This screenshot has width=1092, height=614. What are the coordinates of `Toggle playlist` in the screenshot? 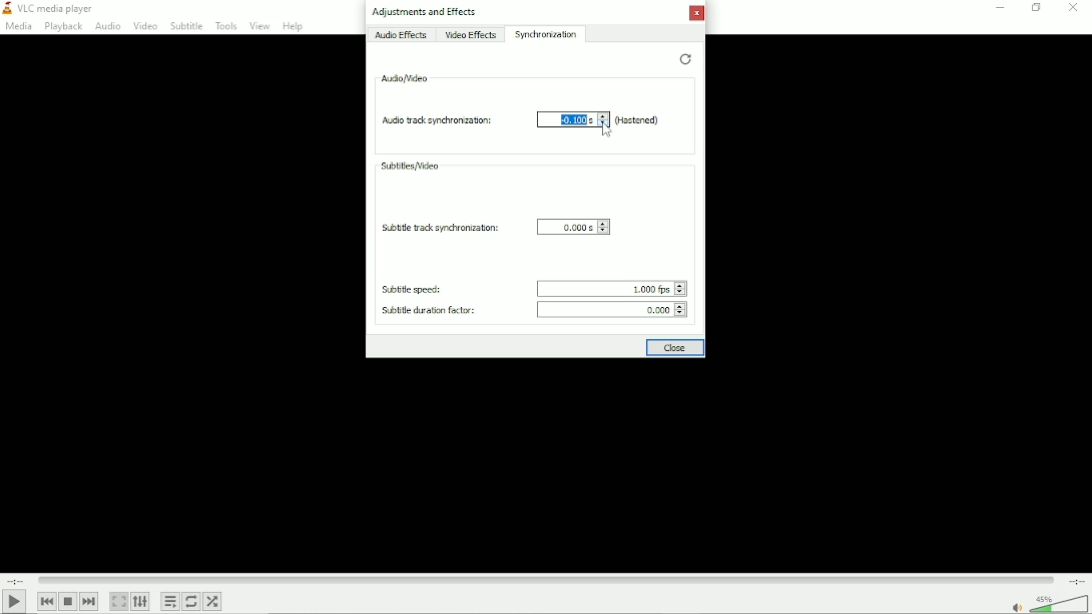 It's located at (169, 600).